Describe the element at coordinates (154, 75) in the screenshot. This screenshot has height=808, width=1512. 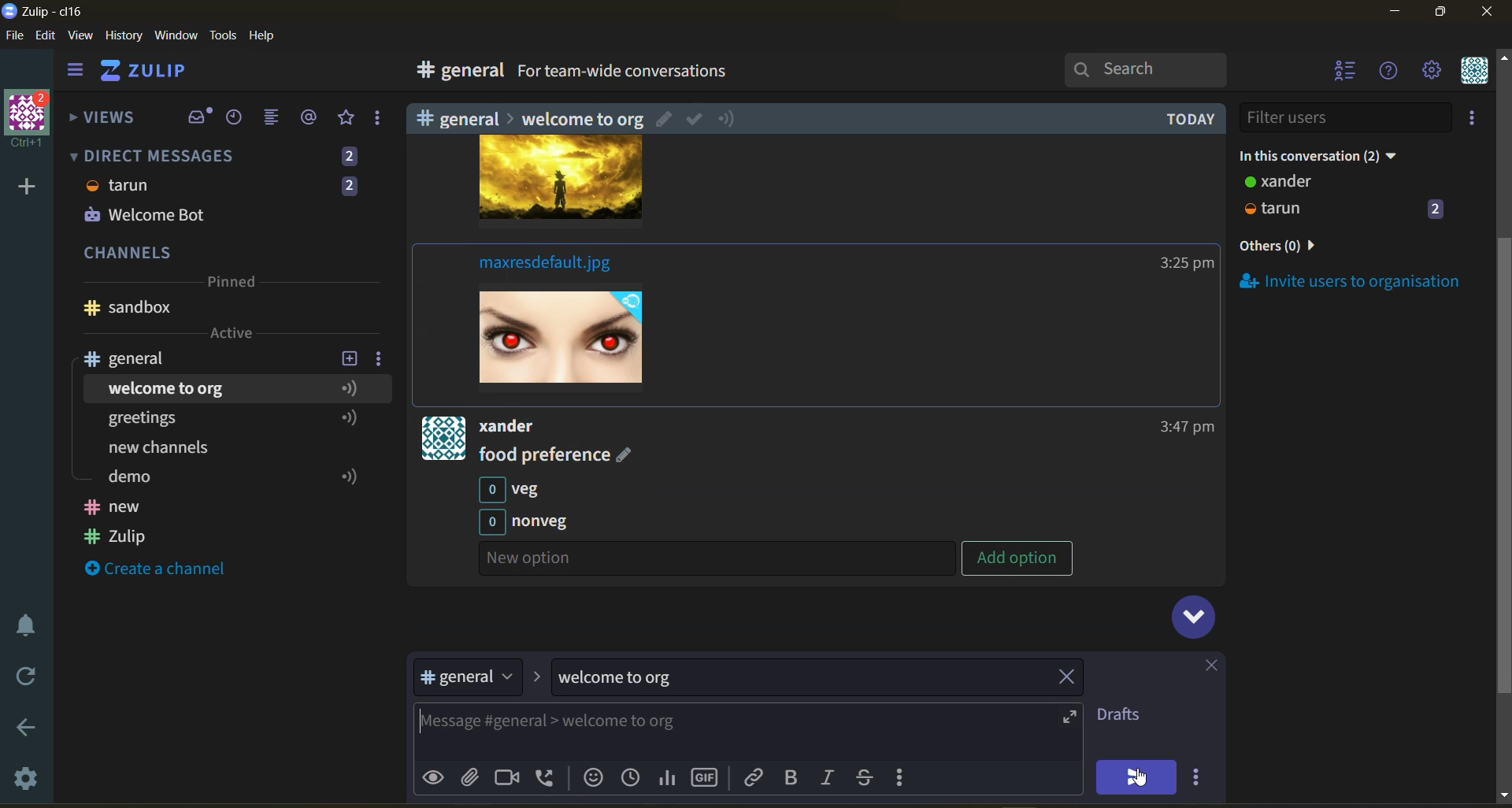
I see `home view` at that location.